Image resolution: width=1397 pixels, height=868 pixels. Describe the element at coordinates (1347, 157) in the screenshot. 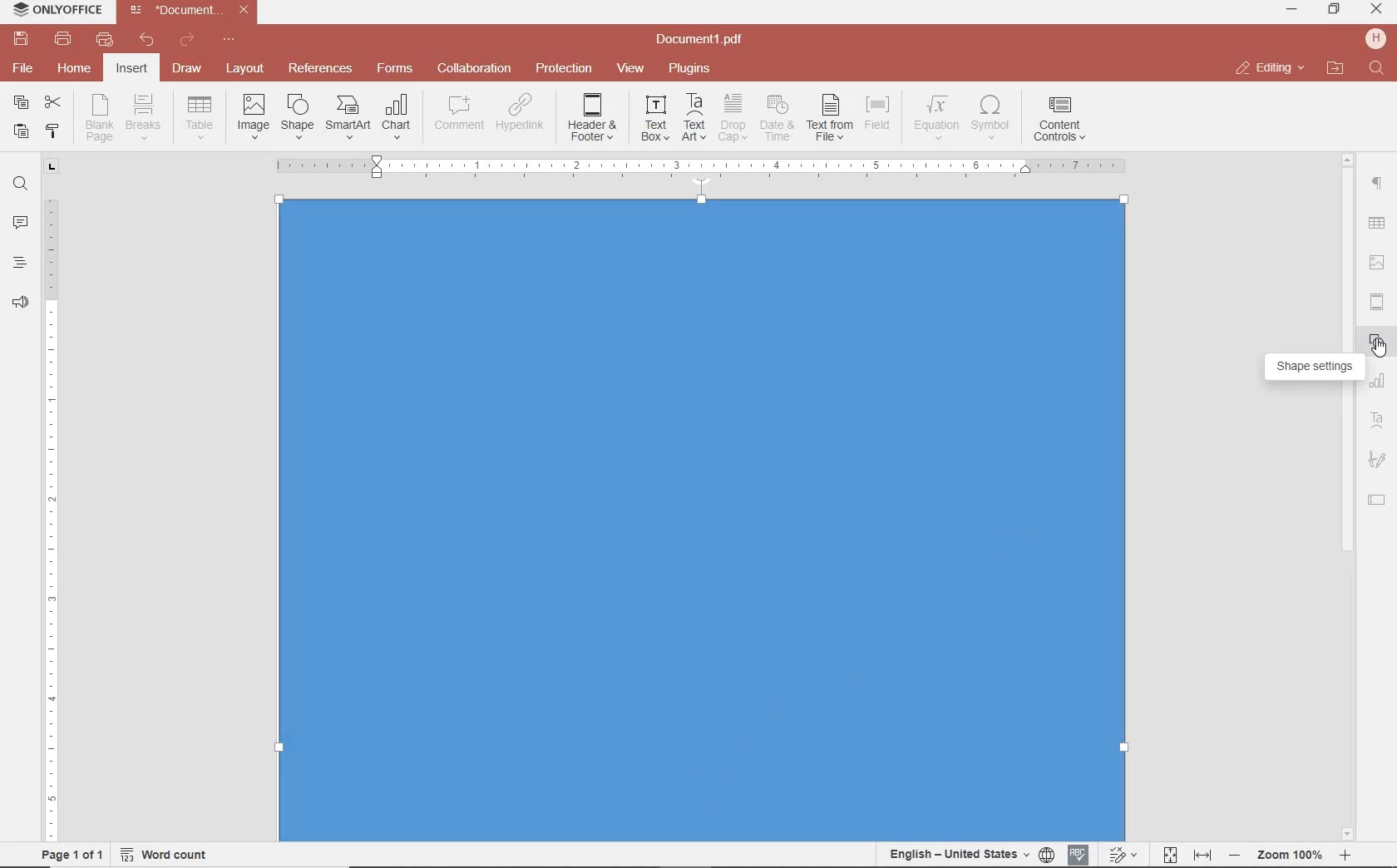

I see `` at that location.